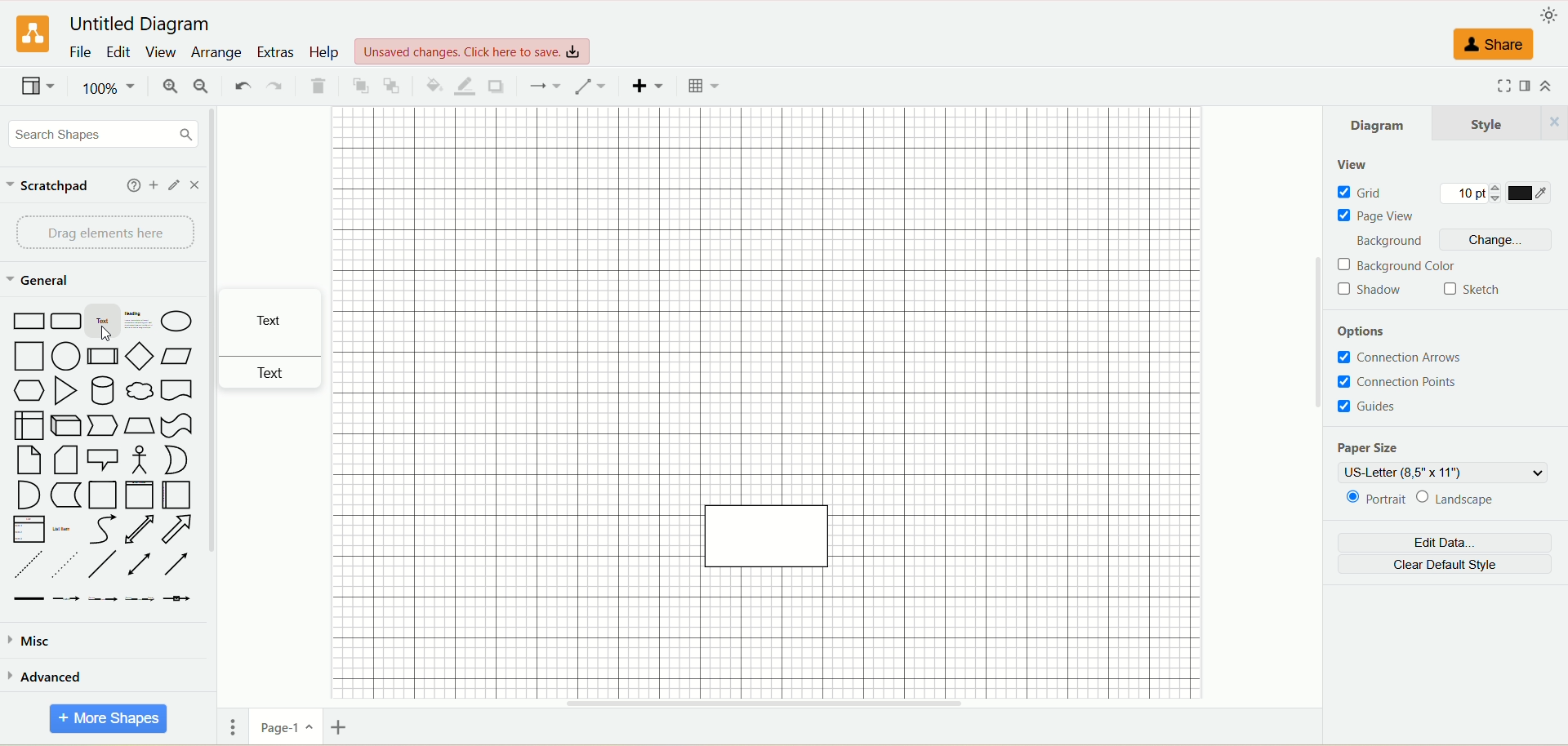 The height and width of the screenshot is (746, 1568). Describe the element at coordinates (1316, 399) in the screenshot. I see `vertical scroll bar` at that location.